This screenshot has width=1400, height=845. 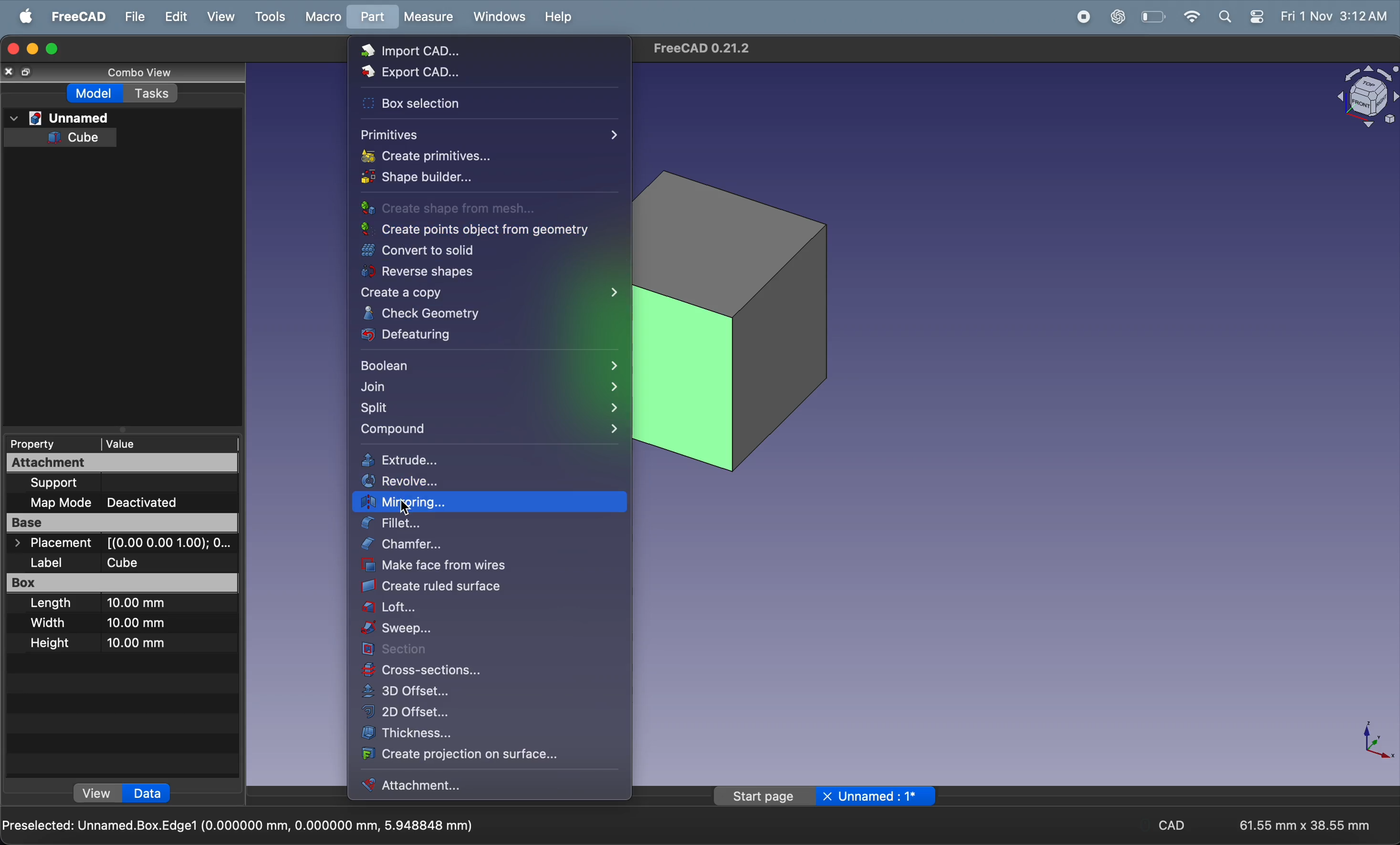 I want to click on cad, so click(x=1174, y=825).